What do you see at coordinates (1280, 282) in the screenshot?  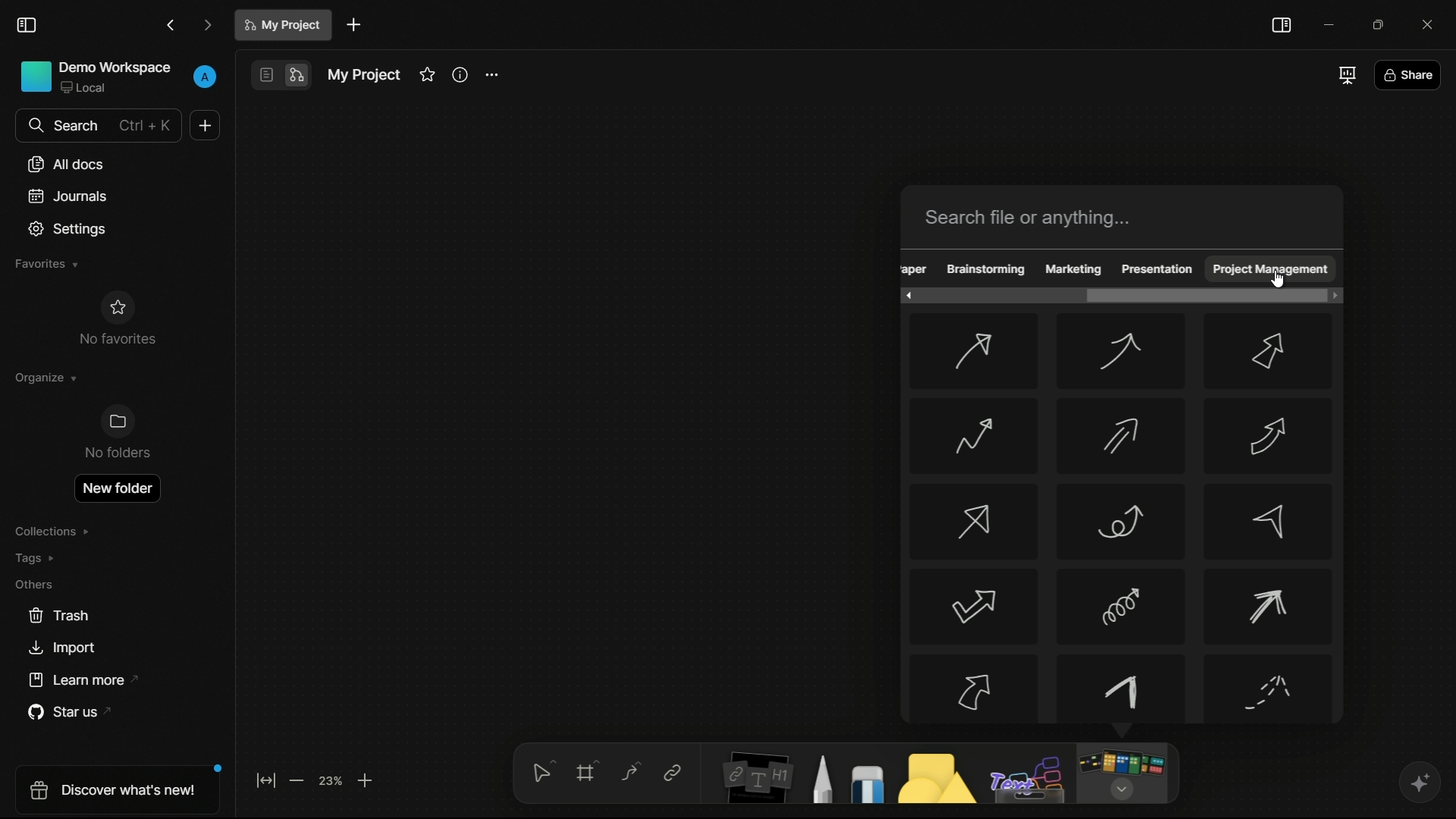 I see `cursor` at bounding box center [1280, 282].